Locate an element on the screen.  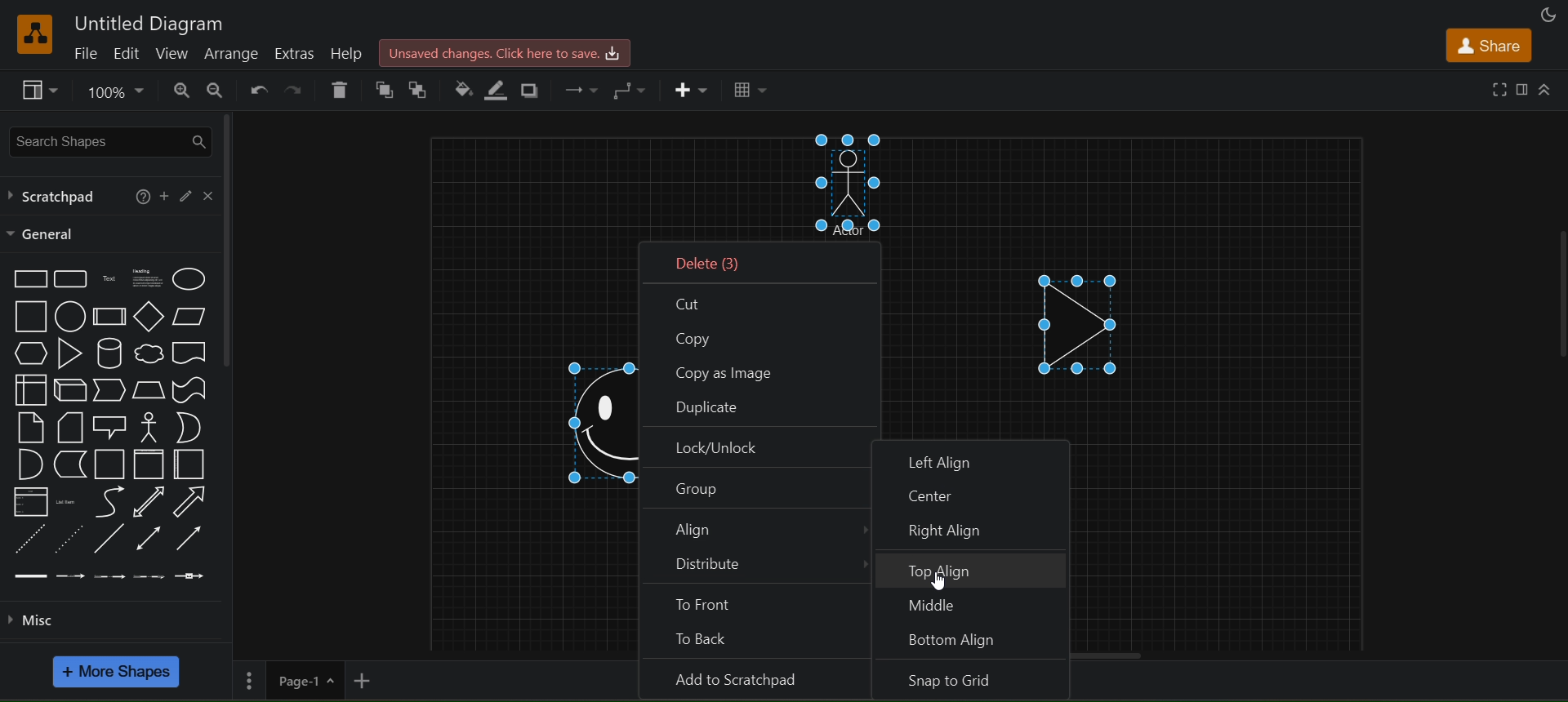
text is located at coordinates (107, 280).